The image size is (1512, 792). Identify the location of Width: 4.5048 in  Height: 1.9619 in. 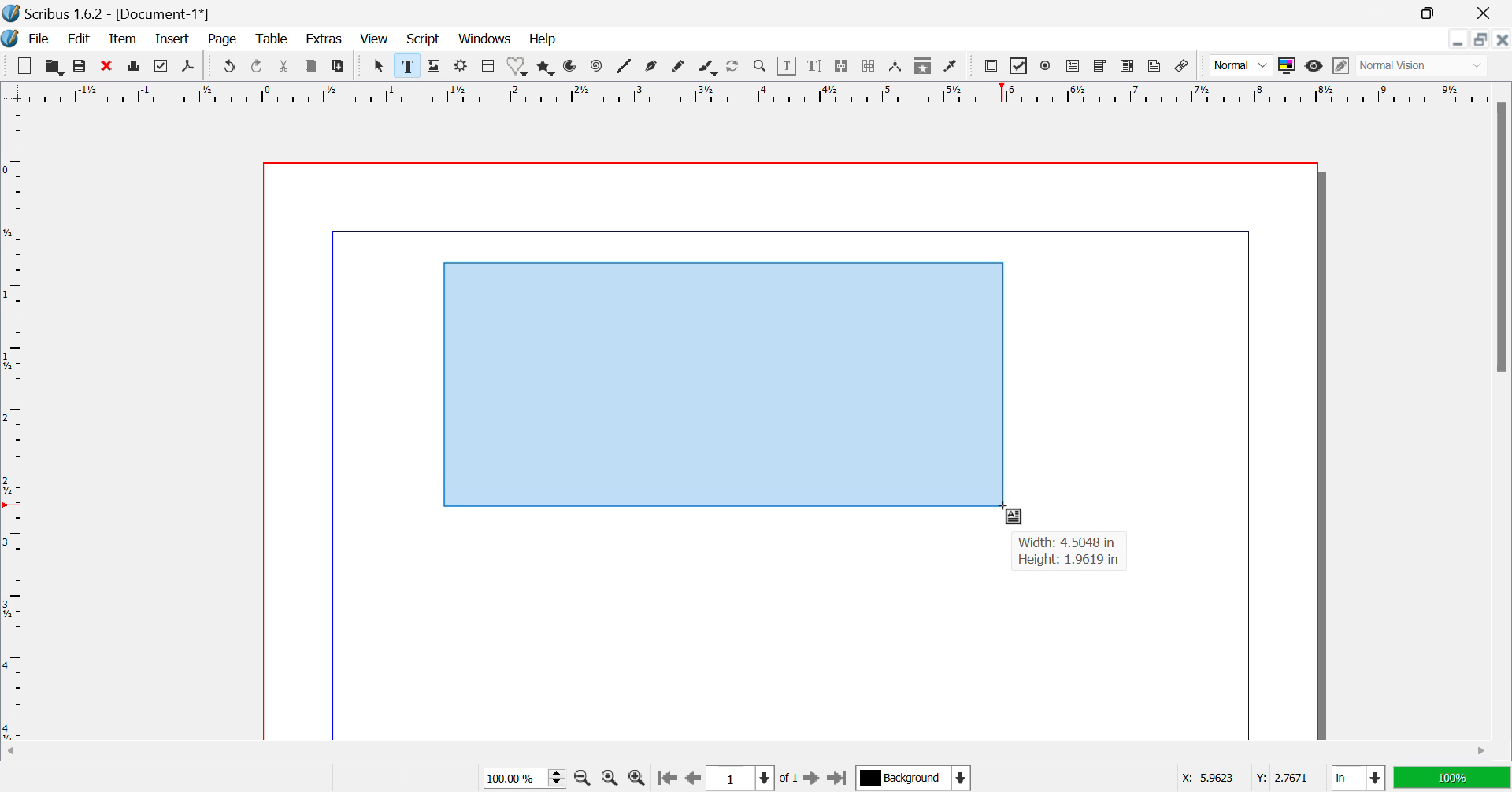
(1069, 551).